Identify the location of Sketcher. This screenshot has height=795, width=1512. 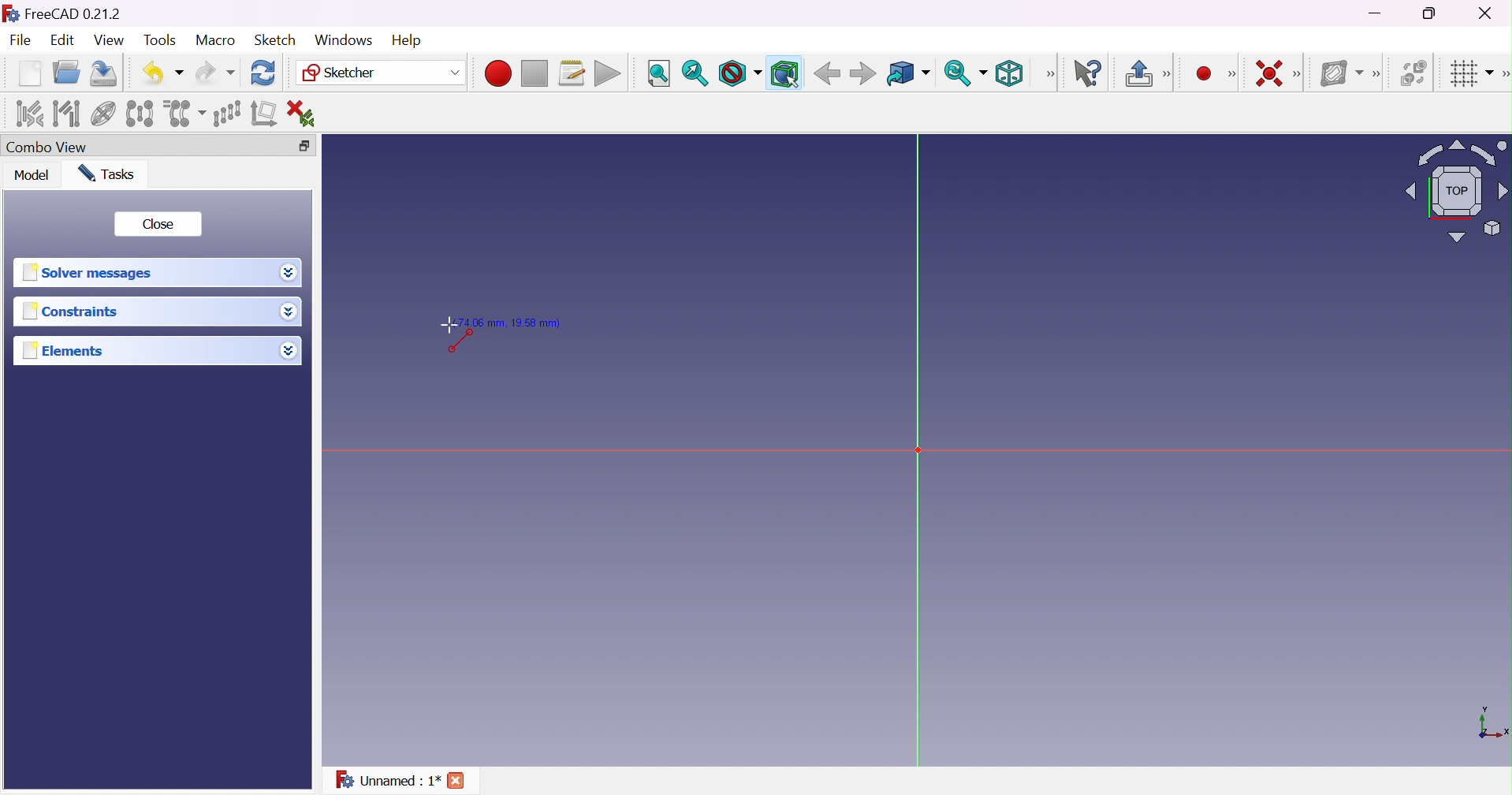
(382, 74).